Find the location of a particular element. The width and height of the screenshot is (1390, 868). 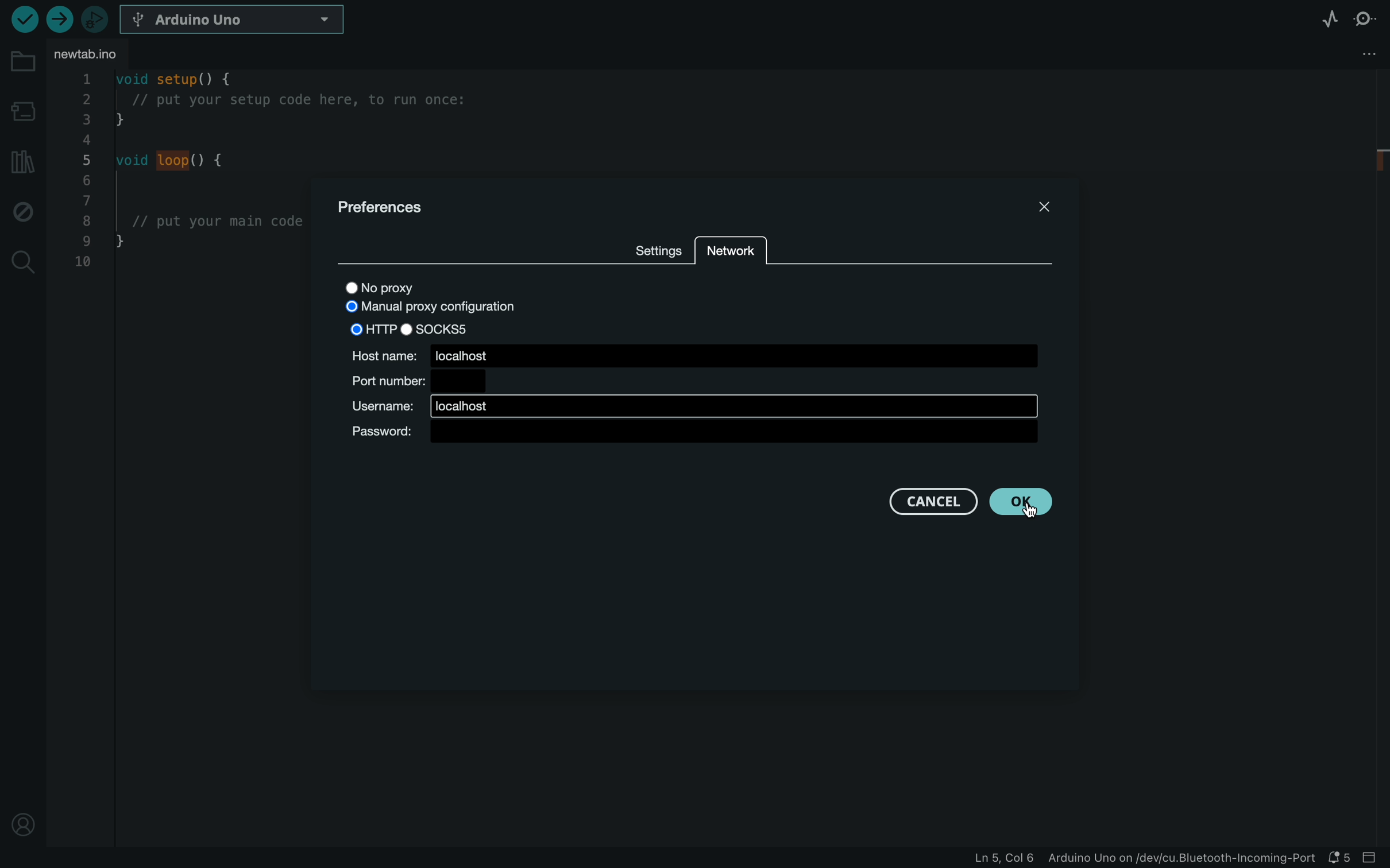

SOCKS5 is located at coordinates (446, 328).